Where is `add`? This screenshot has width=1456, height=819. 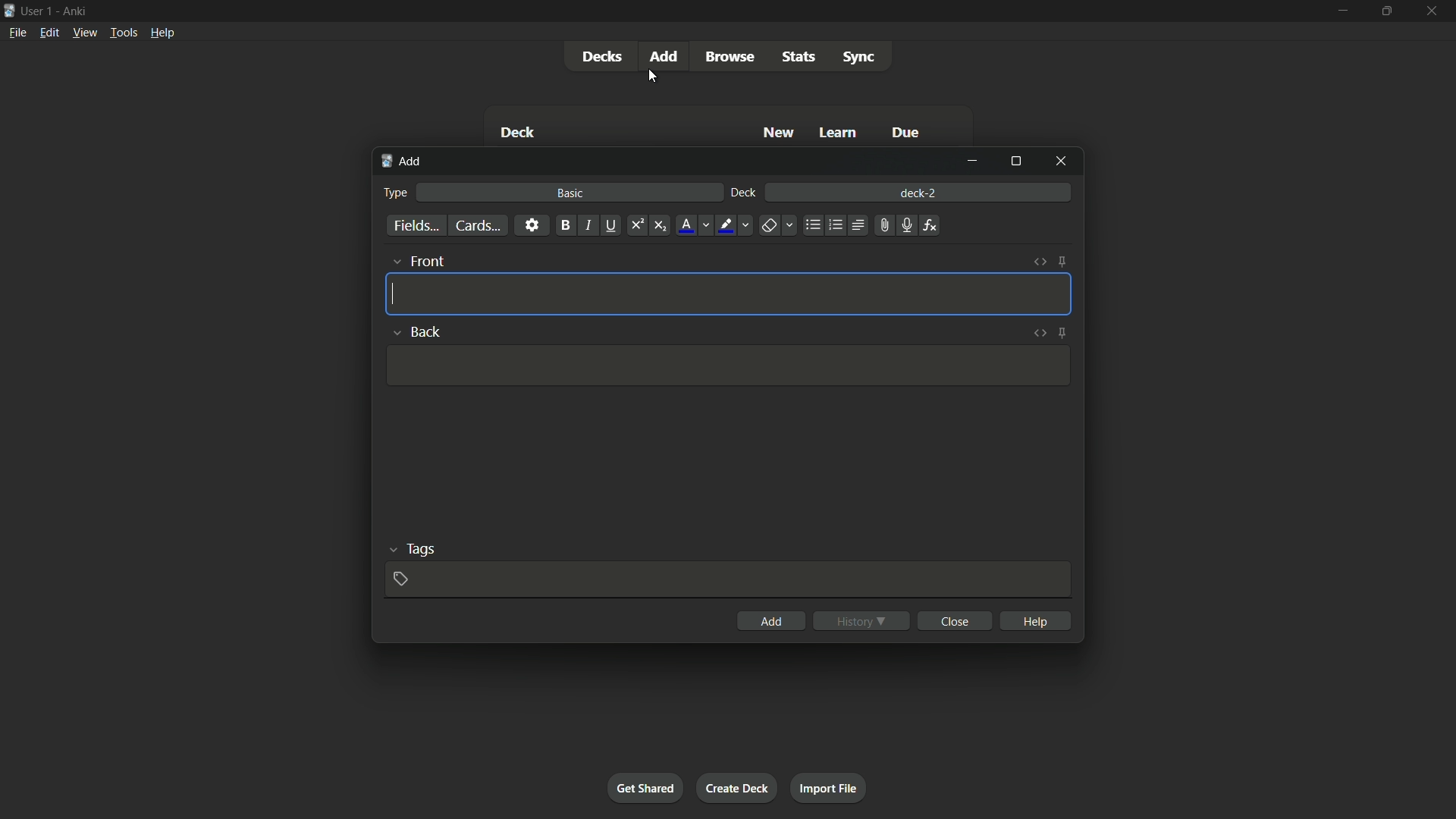 add is located at coordinates (662, 56).